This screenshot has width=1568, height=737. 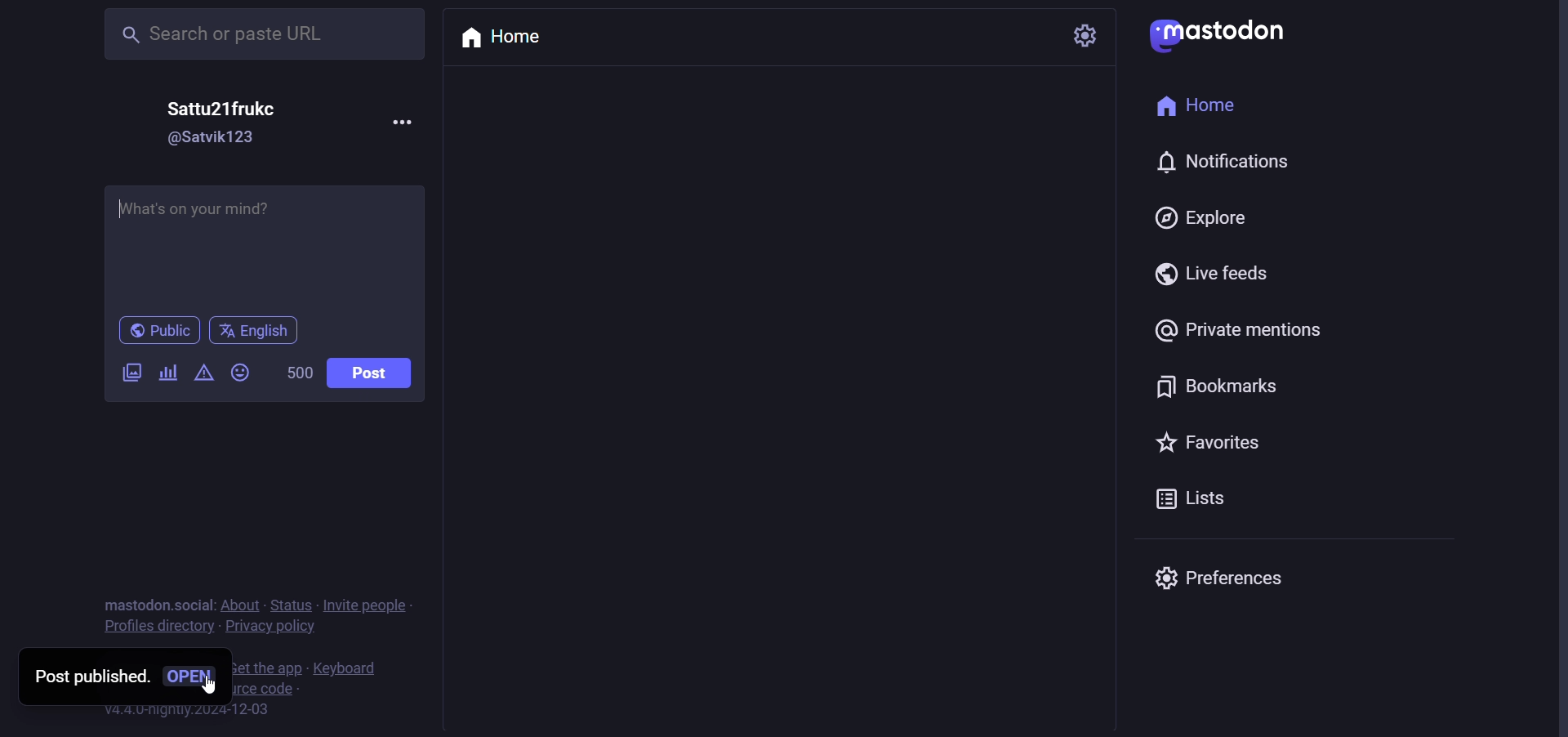 What do you see at coordinates (189, 712) in the screenshot?
I see `version` at bounding box center [189, 712].